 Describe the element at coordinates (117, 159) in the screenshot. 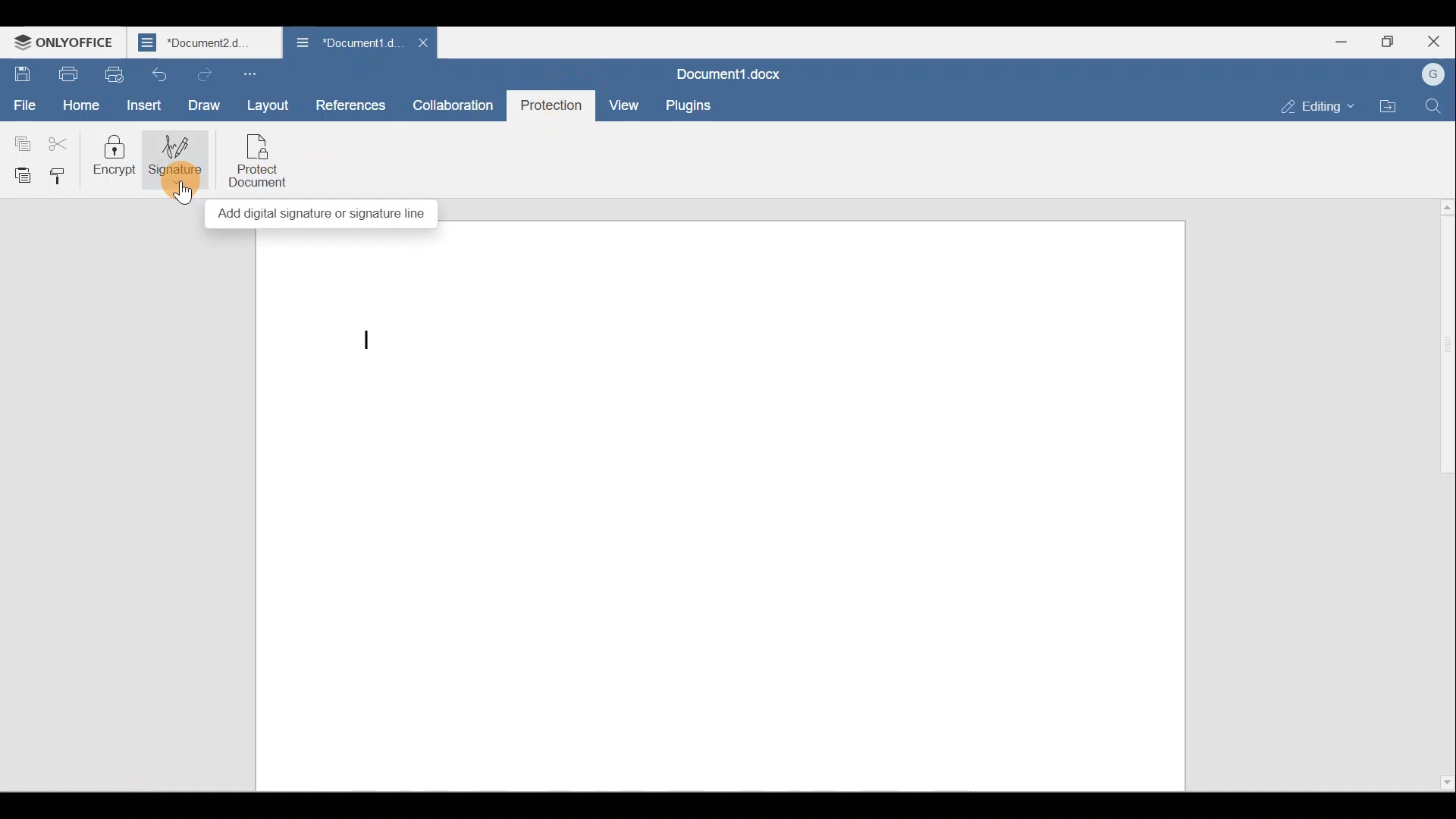

I see `Encrypt` at that location.